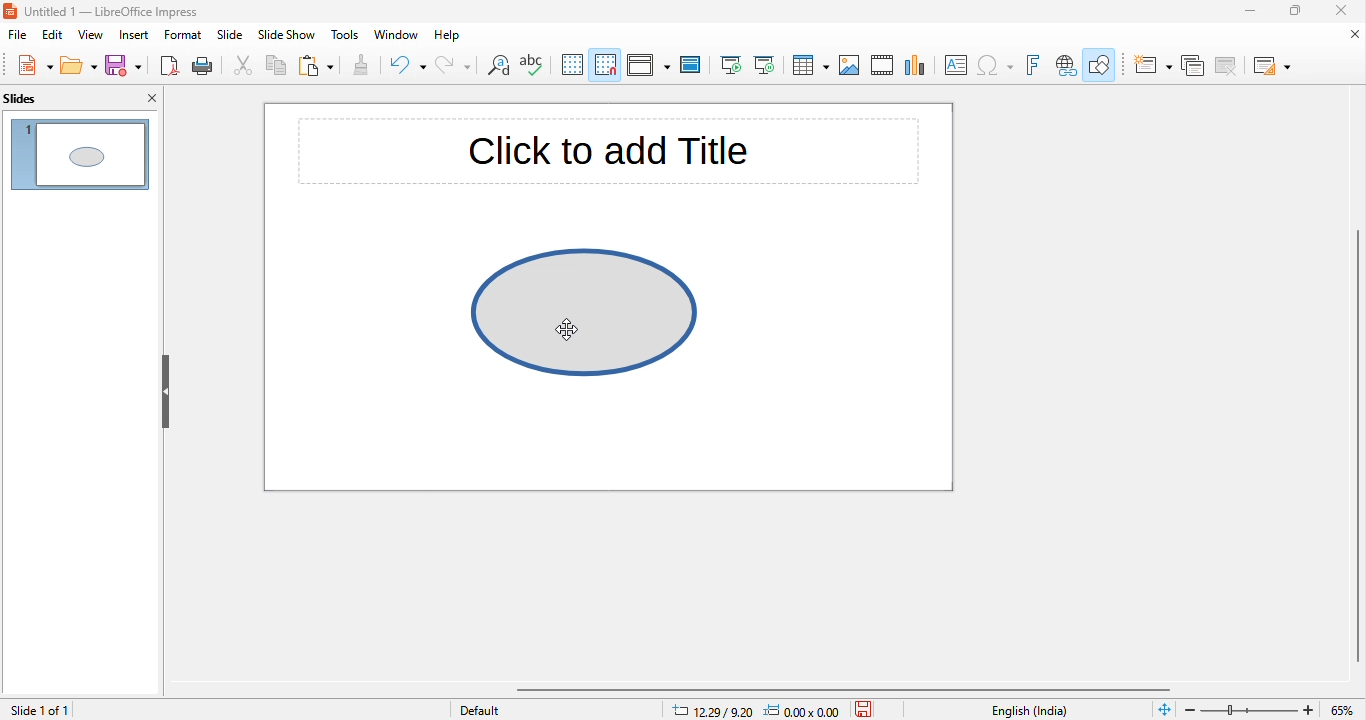 The width and height of the screenshot is (1366, 720). Describe the element at coordinates (135, 35) in the screenshot. I see `insert ` at that location.